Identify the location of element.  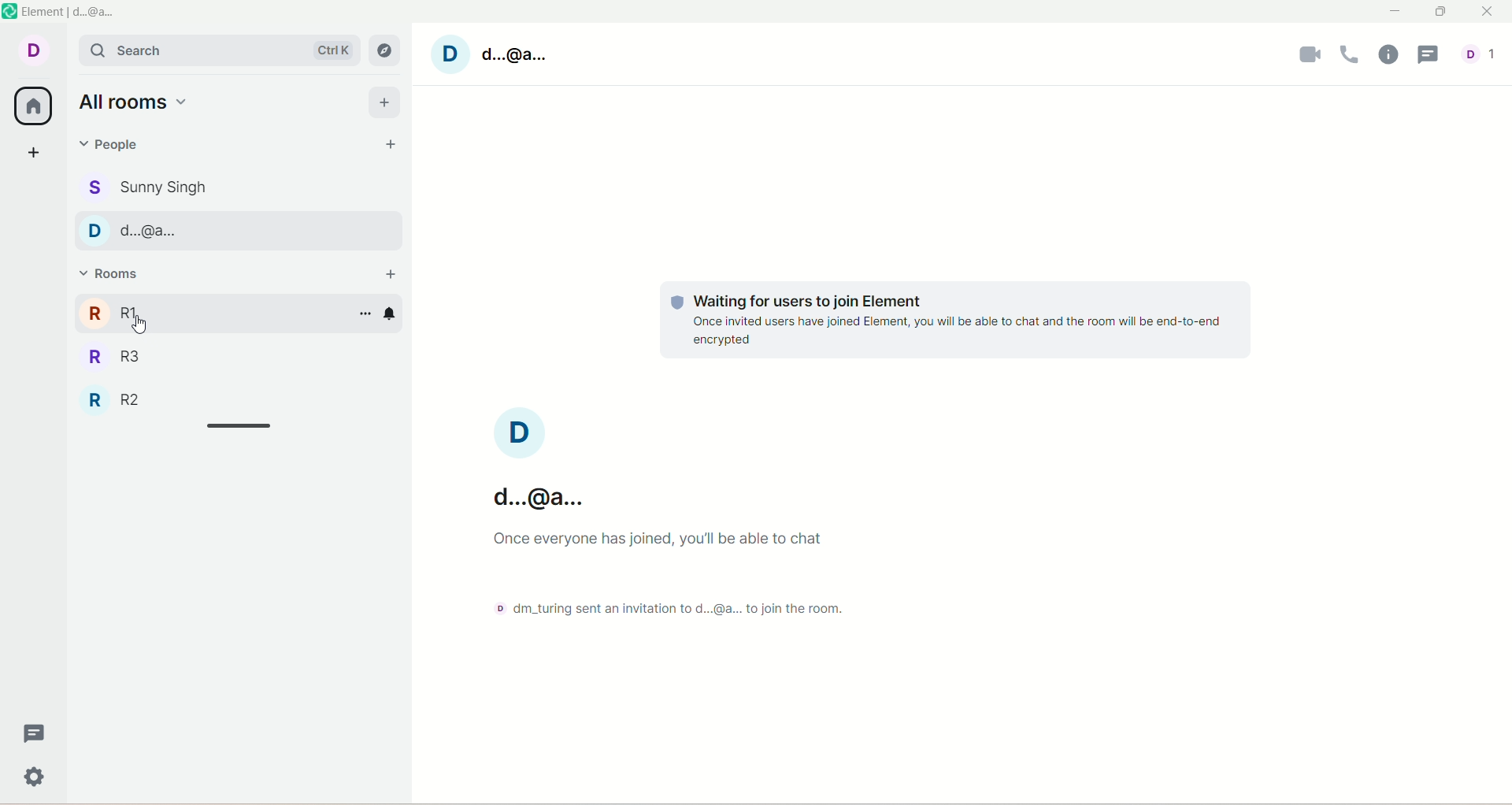
(72, 12).